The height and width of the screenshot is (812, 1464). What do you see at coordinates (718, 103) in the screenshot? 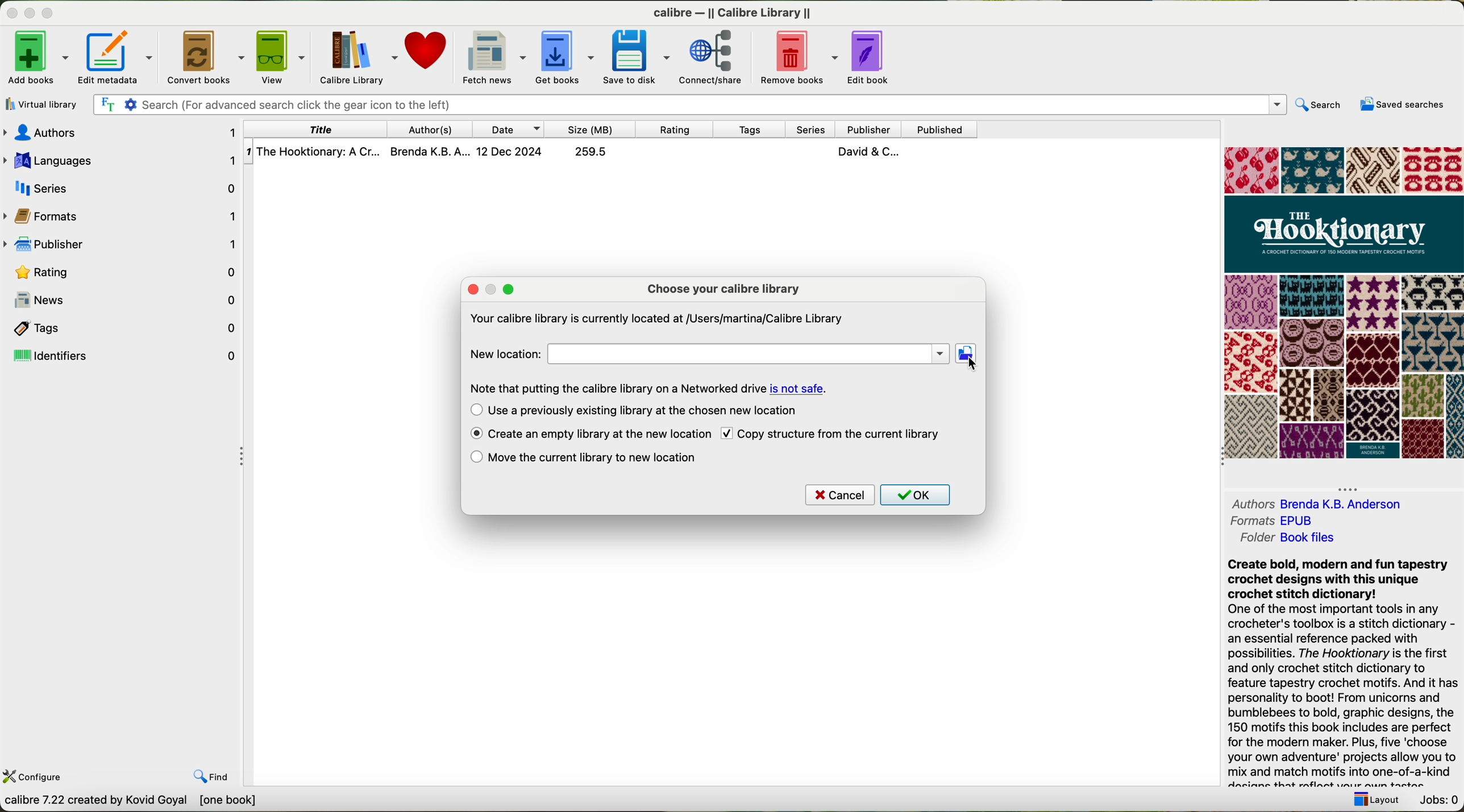
I see `search bar` at bounding box center [718, 103].